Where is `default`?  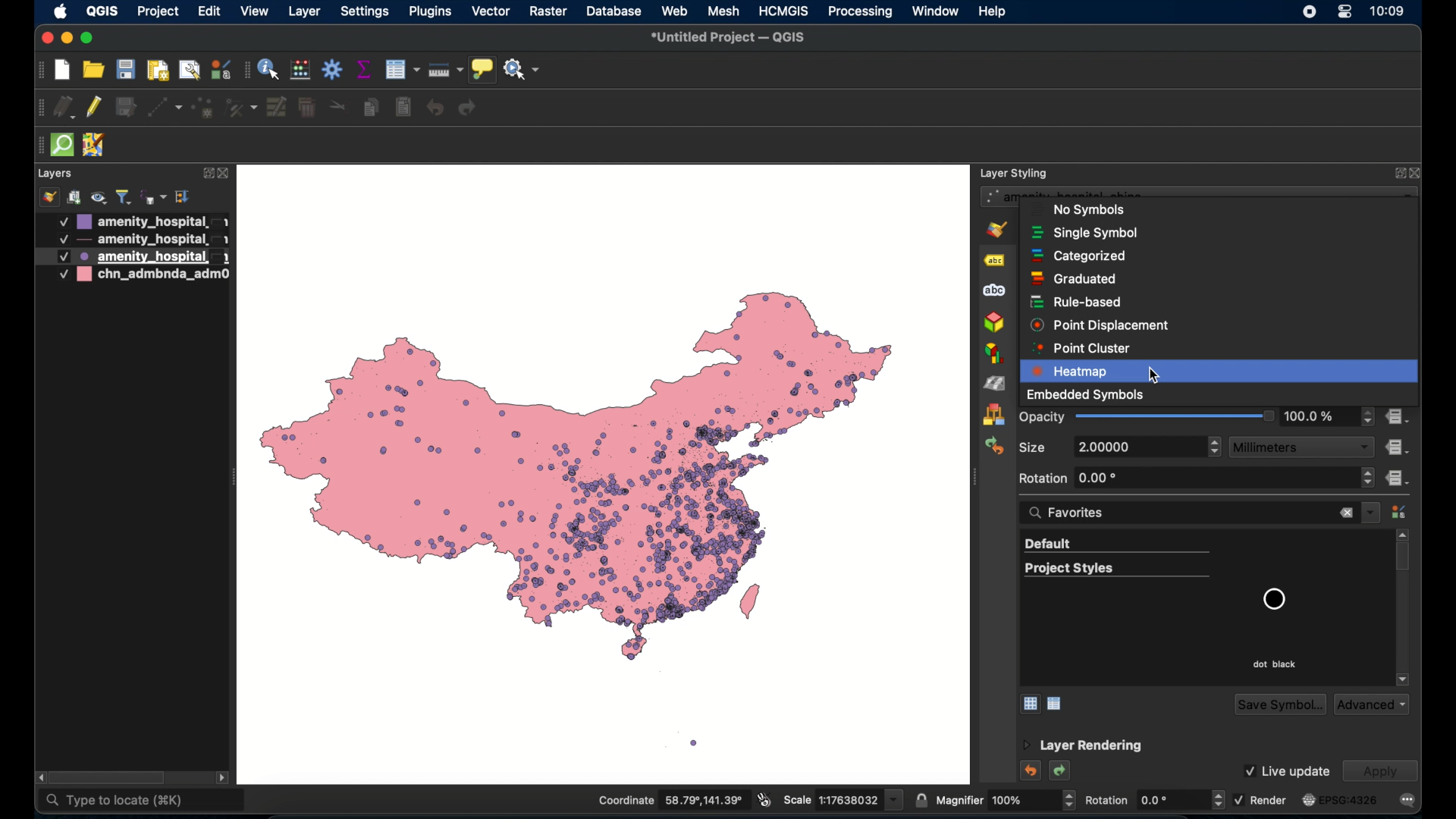
default is located at coordinates (1116, 545).